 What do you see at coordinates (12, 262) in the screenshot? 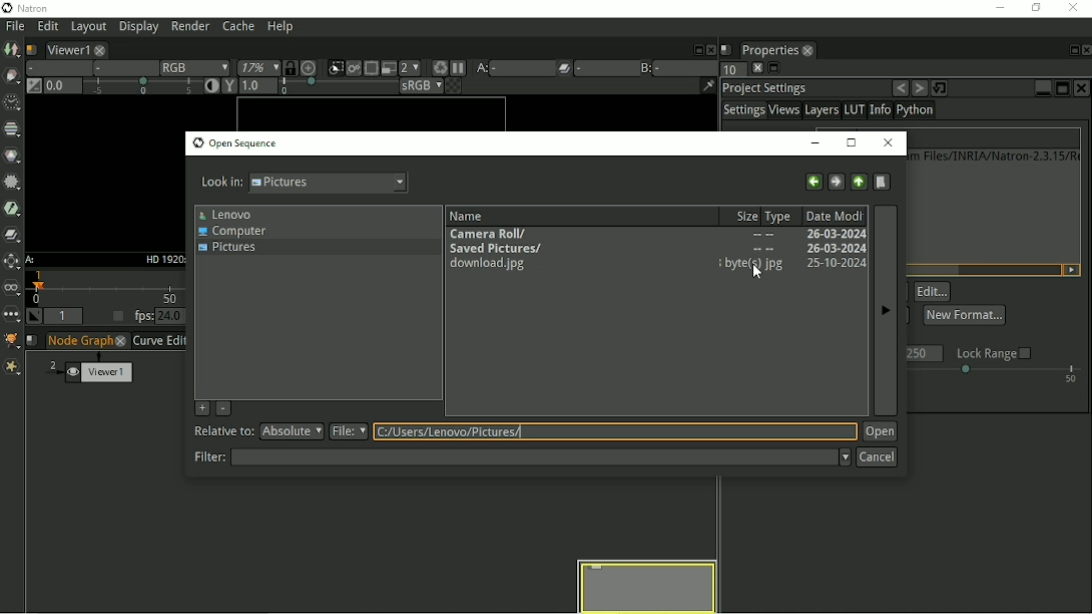
I see `Transform` at bounding box center [12, 262].